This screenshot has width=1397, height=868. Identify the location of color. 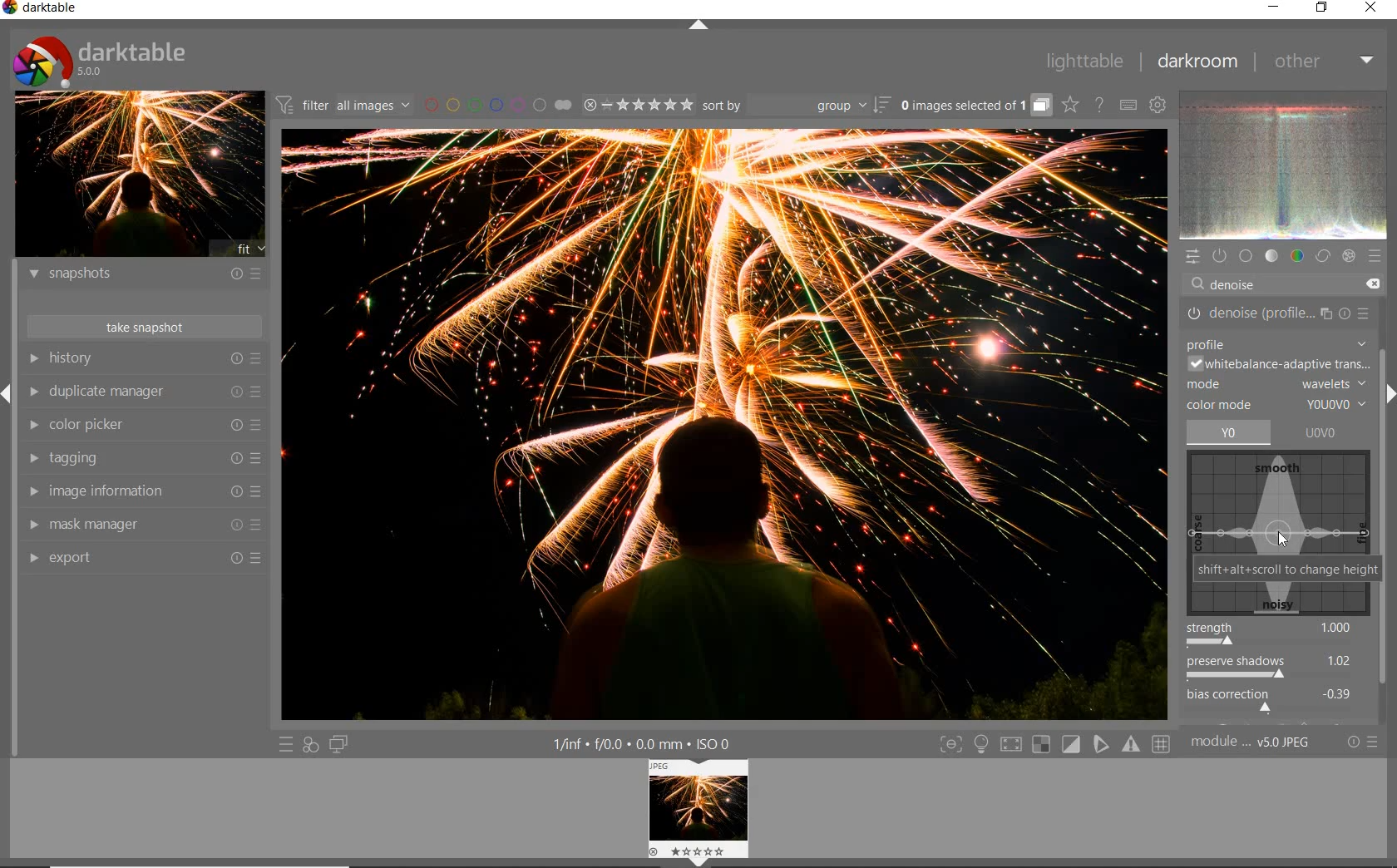
(1298, 256).